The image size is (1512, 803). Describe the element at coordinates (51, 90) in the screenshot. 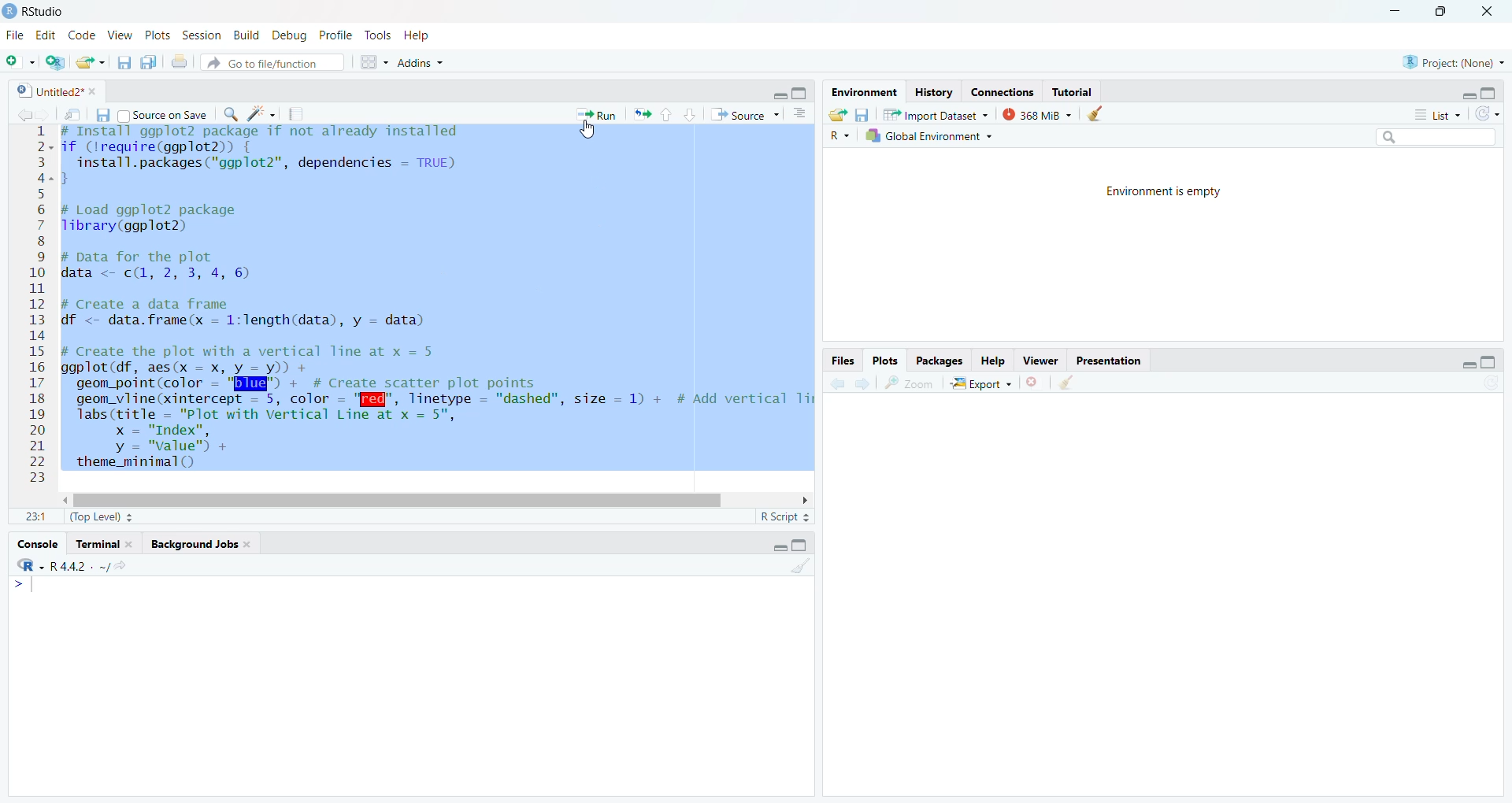

I see `| Untitled2* *` at that location.